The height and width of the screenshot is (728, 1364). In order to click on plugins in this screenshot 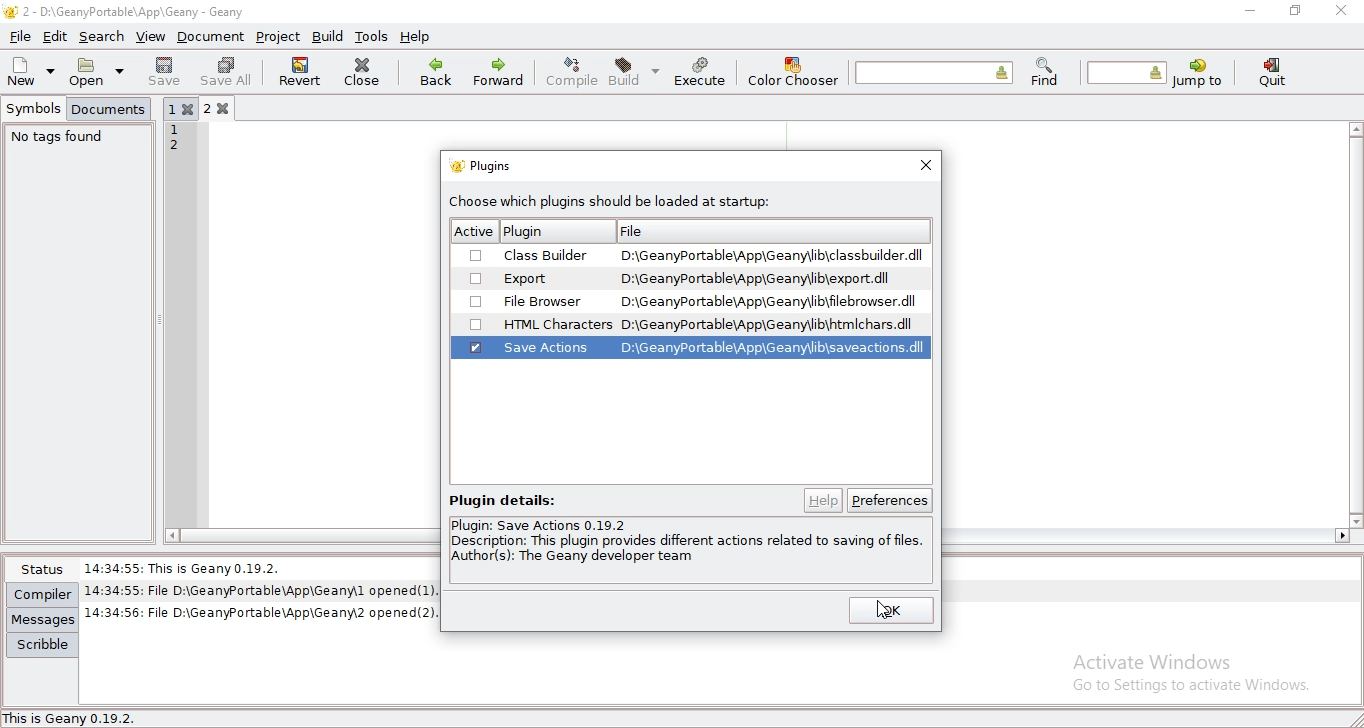, I will do `click(483, 167)`.